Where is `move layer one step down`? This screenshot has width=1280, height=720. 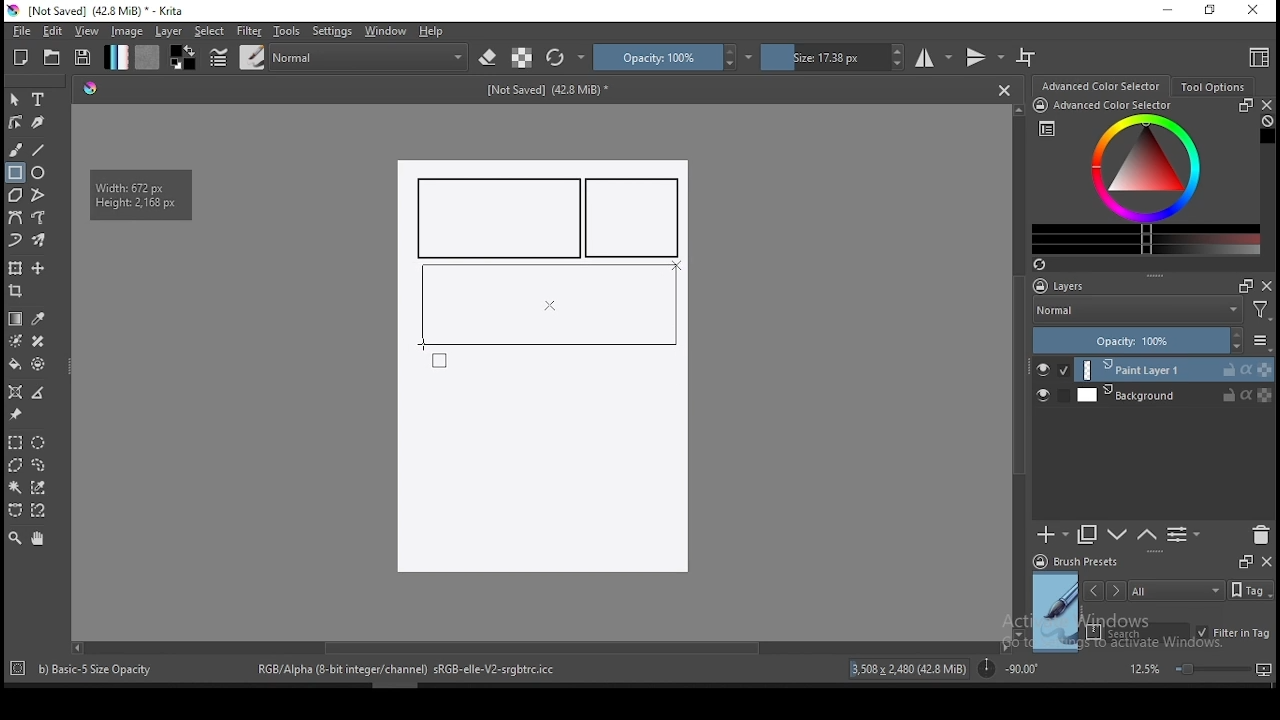
move layer one step down is located at coordinates (1147, 535).